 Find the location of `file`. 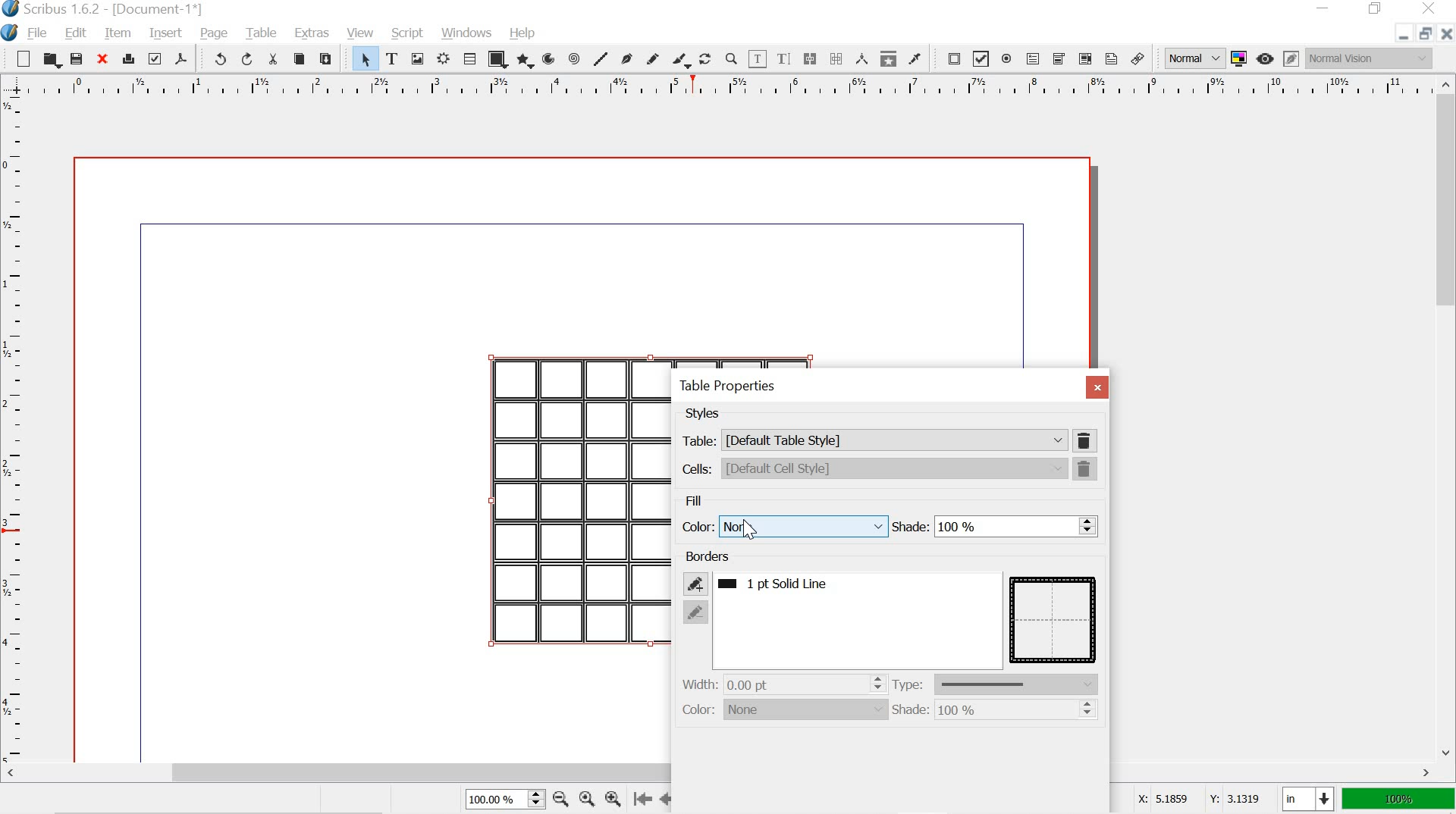

file is located at coordinates (36, 34).